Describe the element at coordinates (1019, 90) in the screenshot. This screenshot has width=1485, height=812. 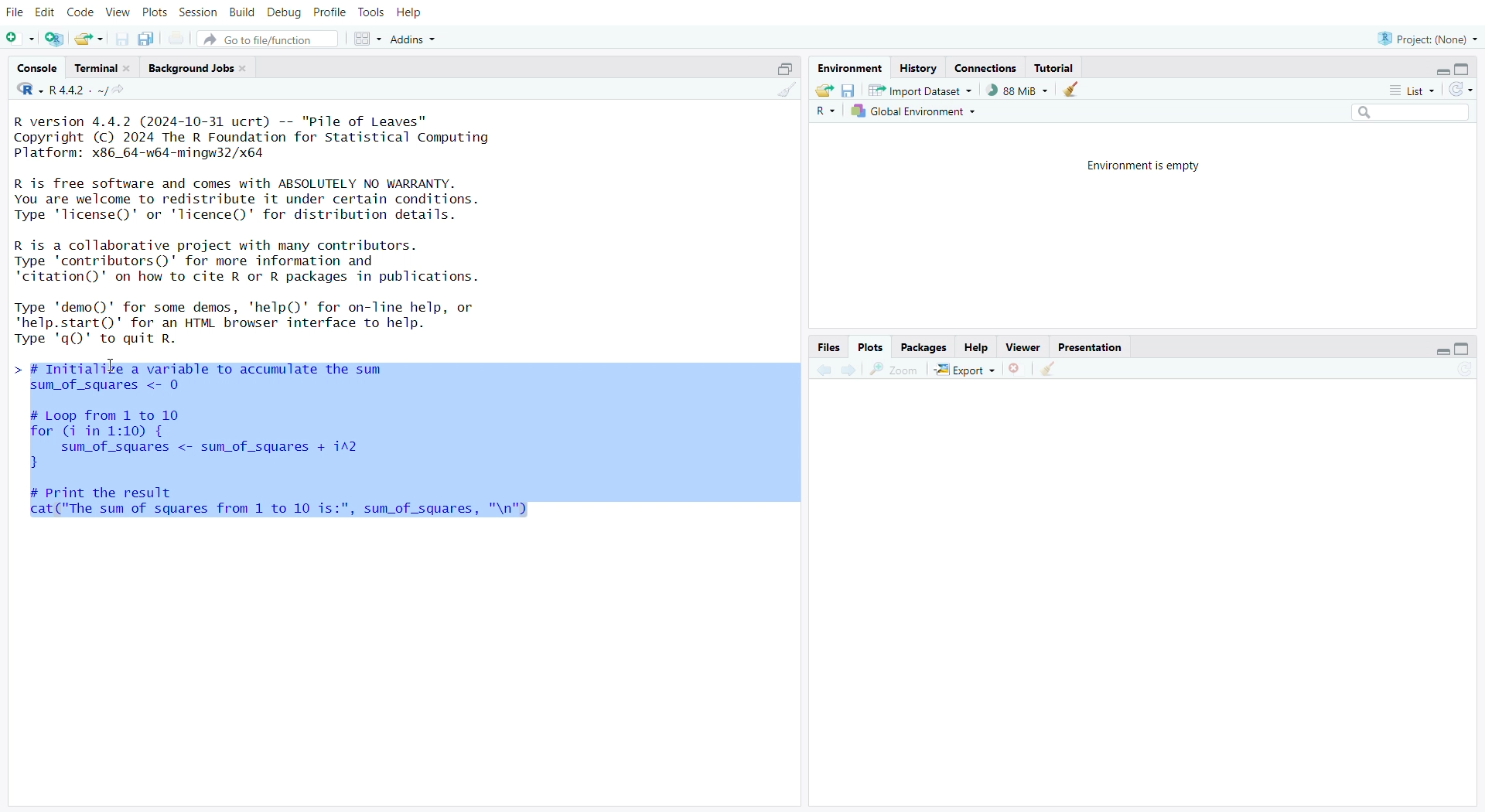
I see `88mib` at that location.